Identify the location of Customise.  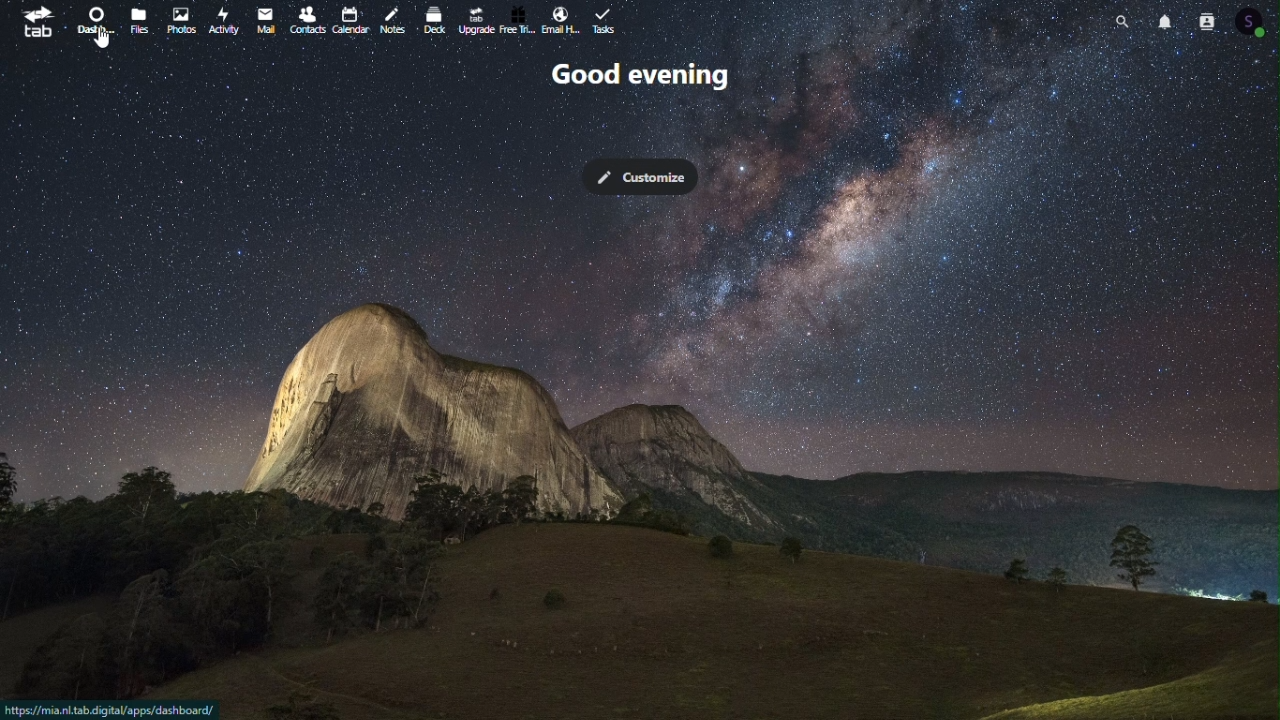
(638, 175).